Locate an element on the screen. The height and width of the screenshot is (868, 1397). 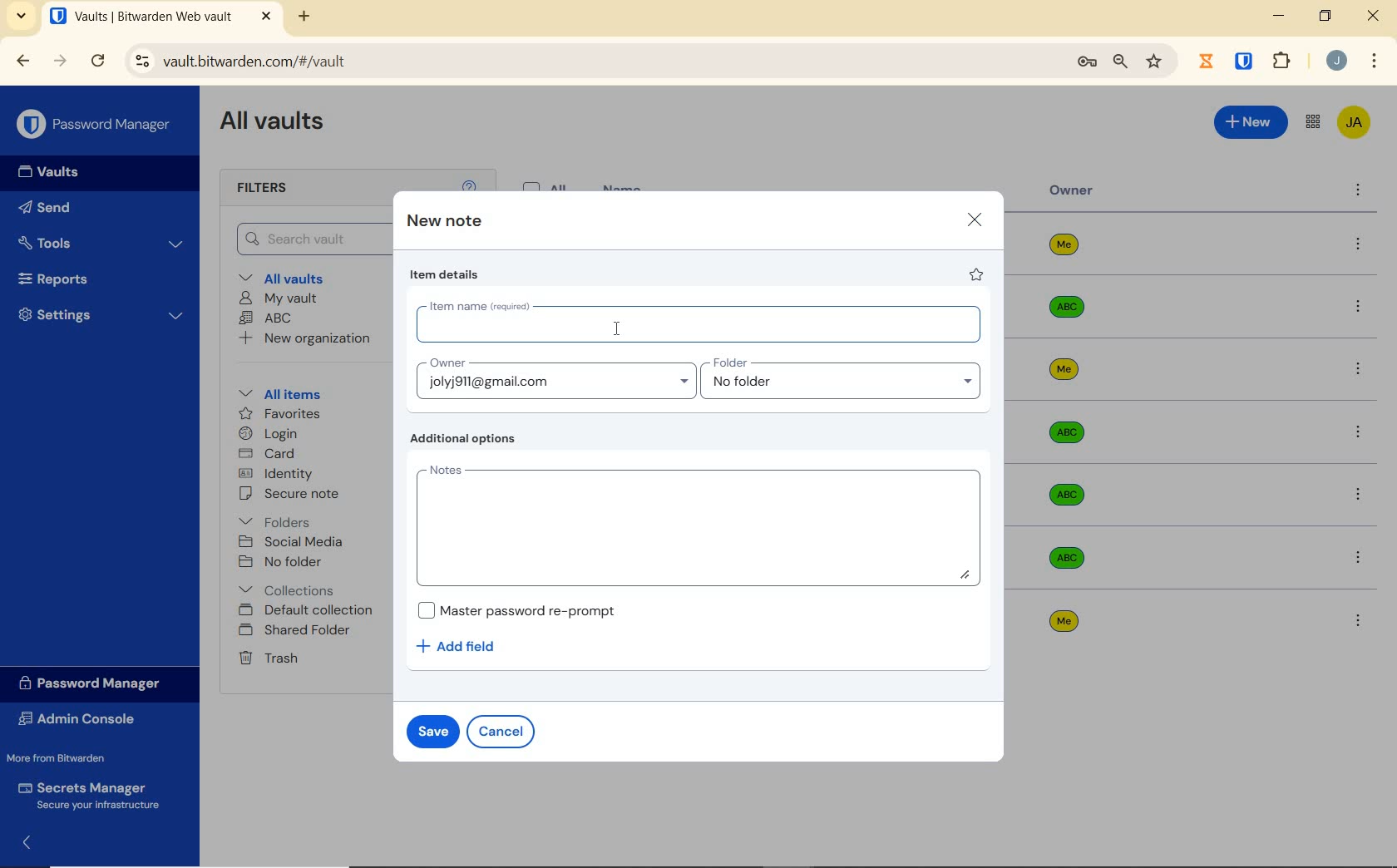
New organization is located at coordinates (310, 341).